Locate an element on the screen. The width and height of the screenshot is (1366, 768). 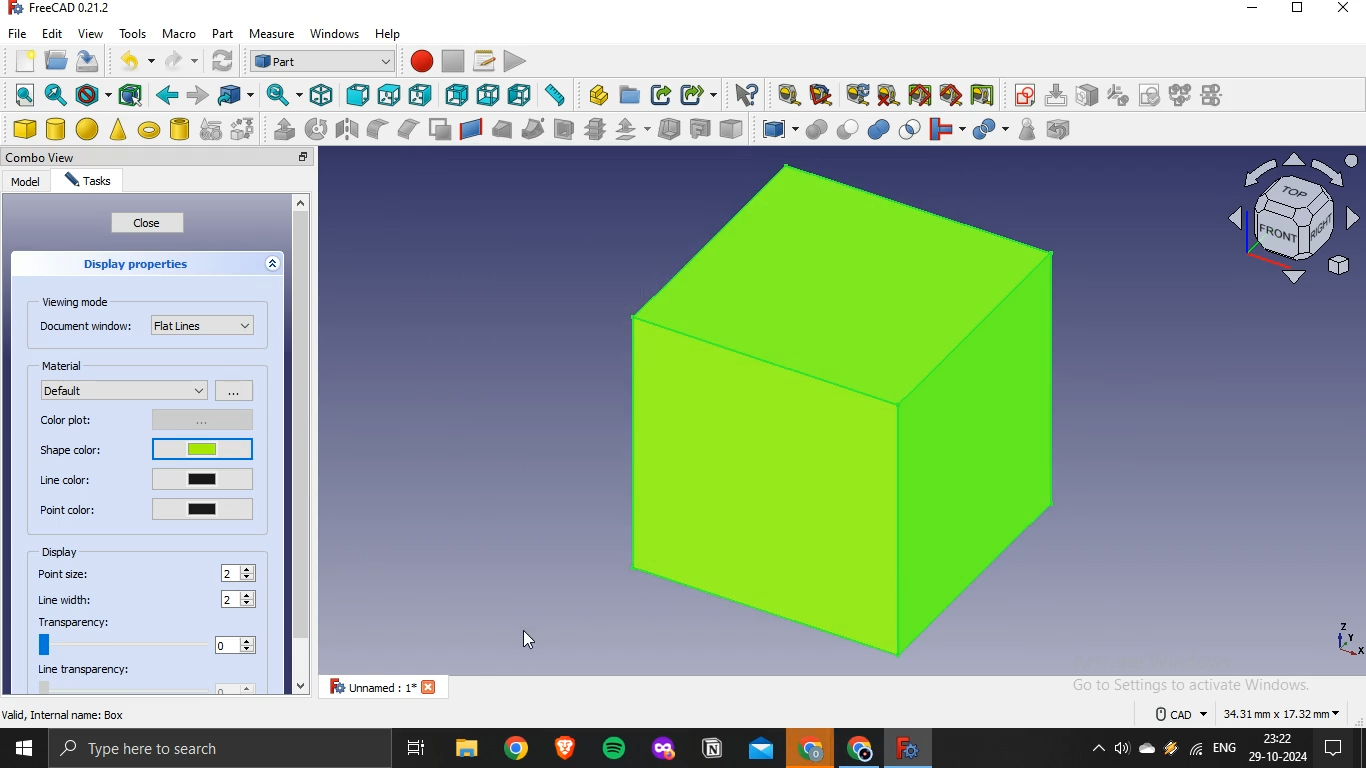
section is located at coordinates (563, 129).